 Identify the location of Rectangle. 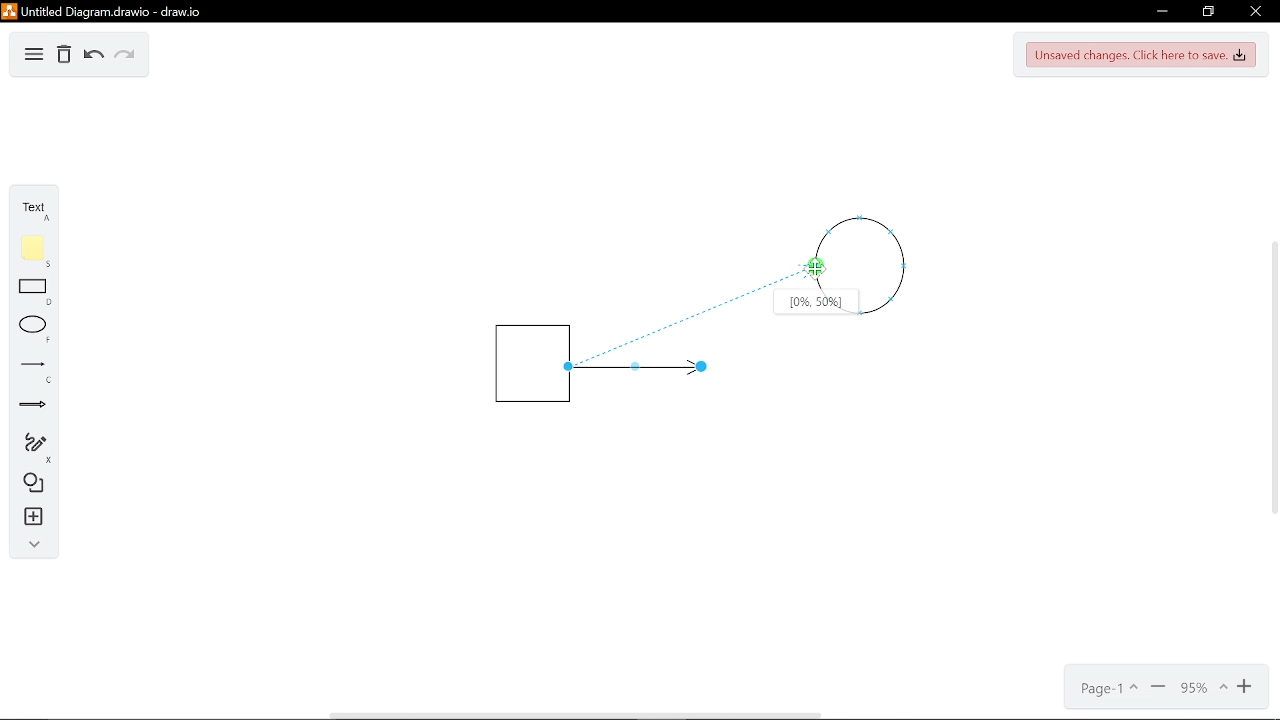
(29, 292).